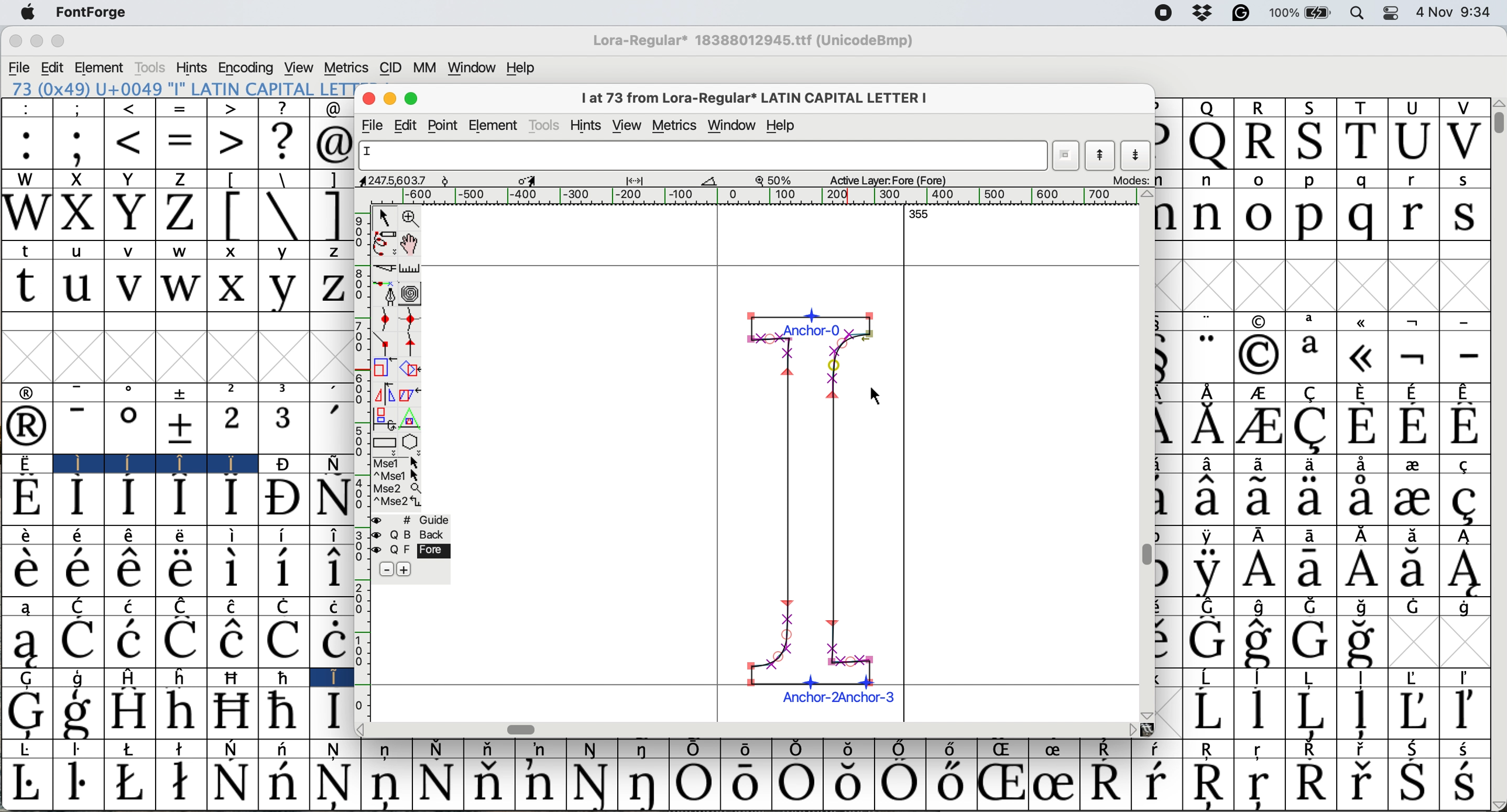 Image resolution: width=1507 pixels, height=812 pixels. What do you see at coordinates (78, 498) in the screenshot?
I see `Symbol` at bounding box center [78, 498].